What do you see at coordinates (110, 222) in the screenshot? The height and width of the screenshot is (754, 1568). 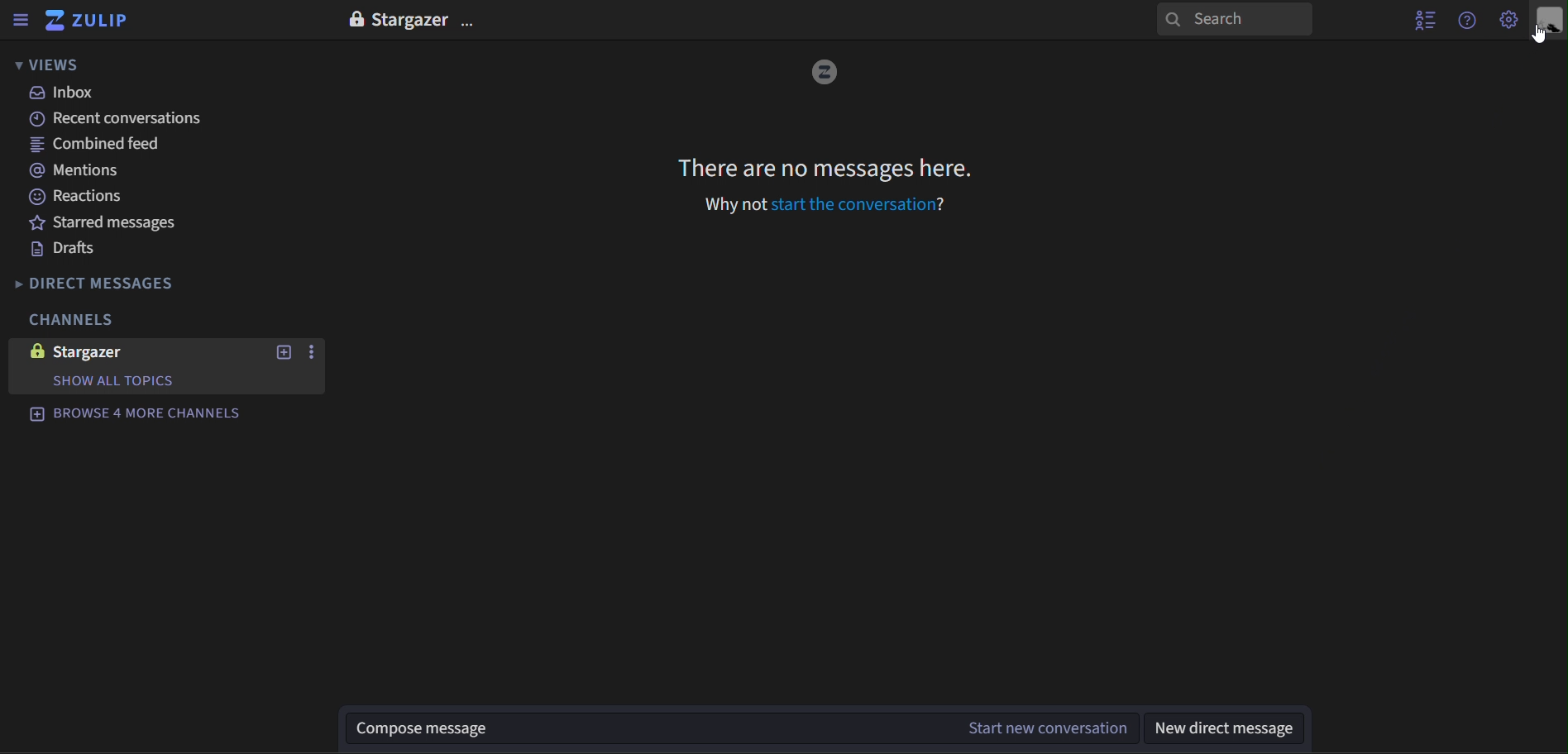 I see `starred messages` at bounding box center [110, 222].